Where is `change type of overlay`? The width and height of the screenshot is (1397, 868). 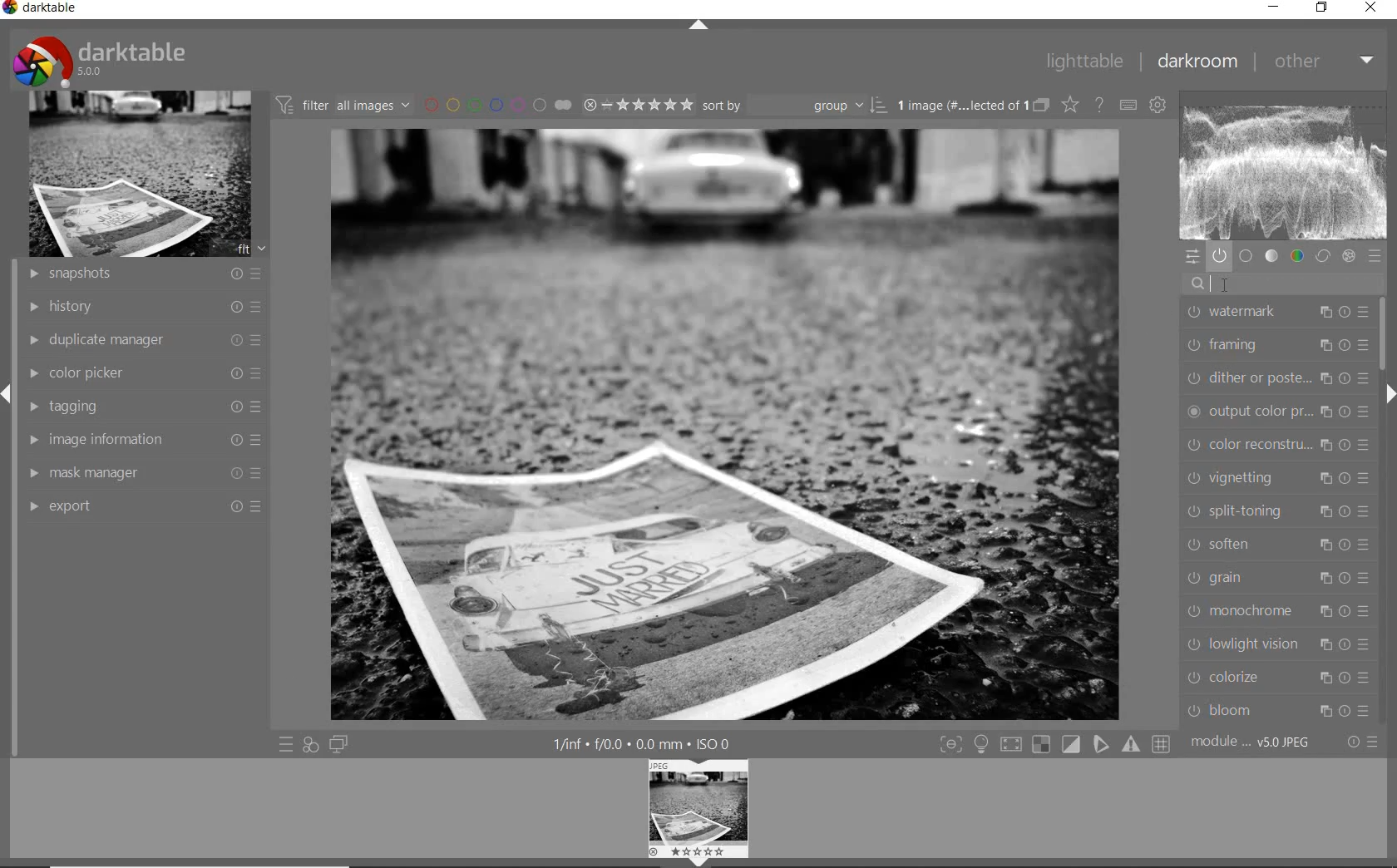
change type of overlay is located at coordinates (1069, 106).